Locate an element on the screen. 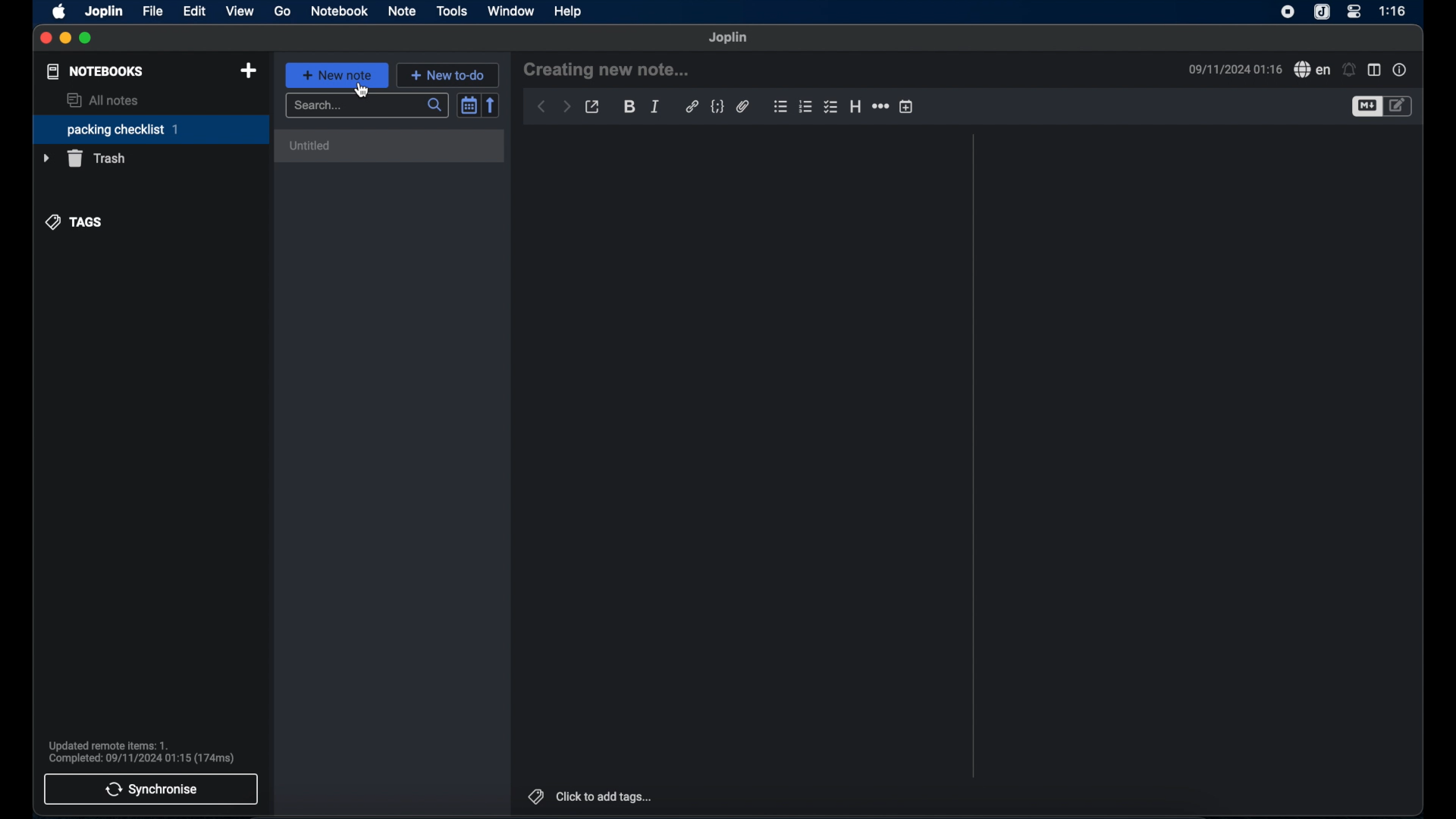 The image size is (1456, 819). insert time is located at coordinates (907, 107).